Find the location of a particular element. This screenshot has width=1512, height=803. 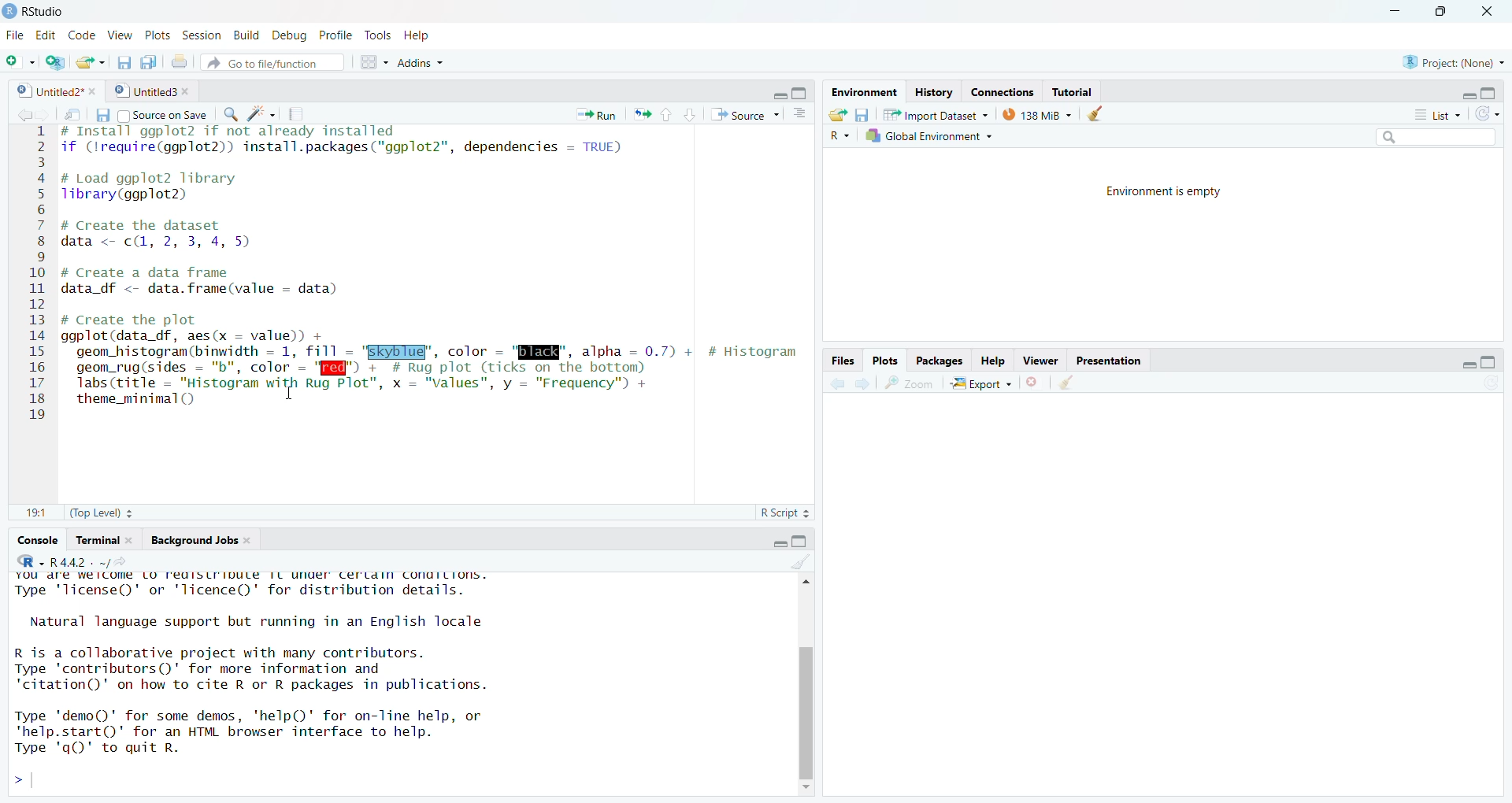

up is located at coordinates (669, 115).